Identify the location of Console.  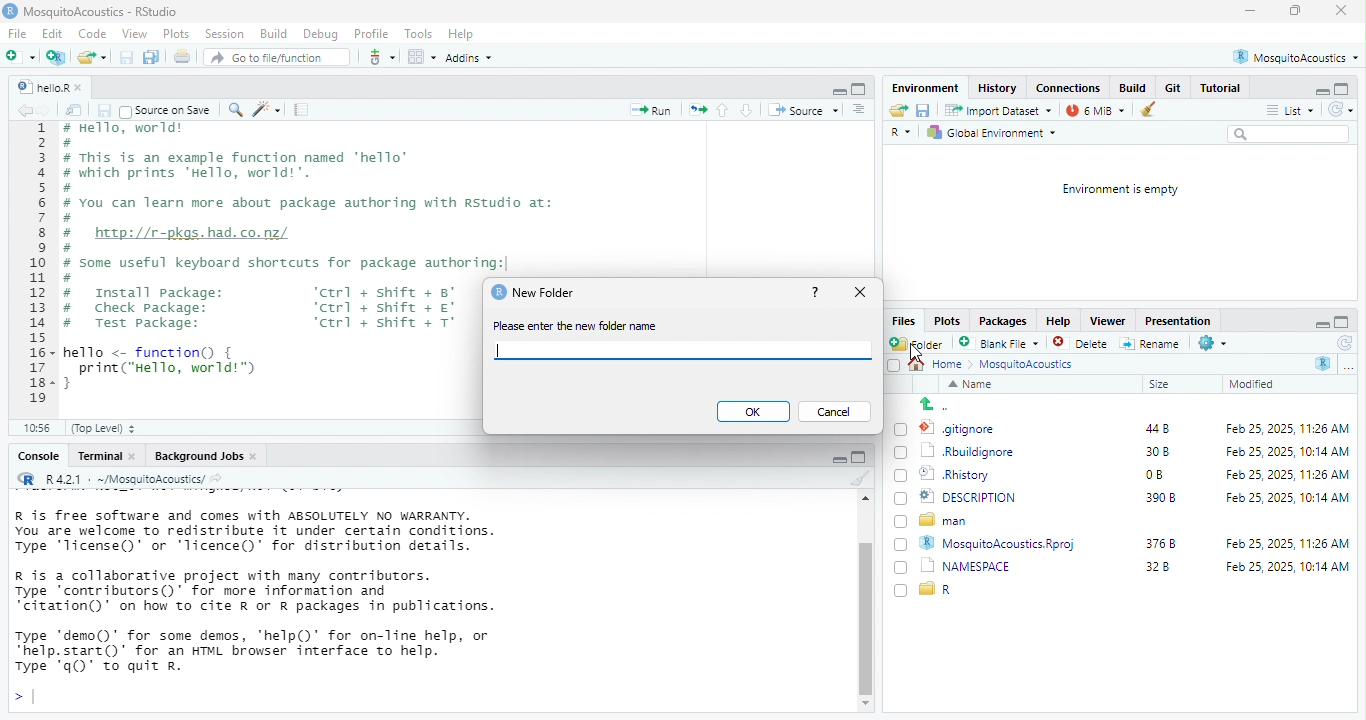
(36, 458).